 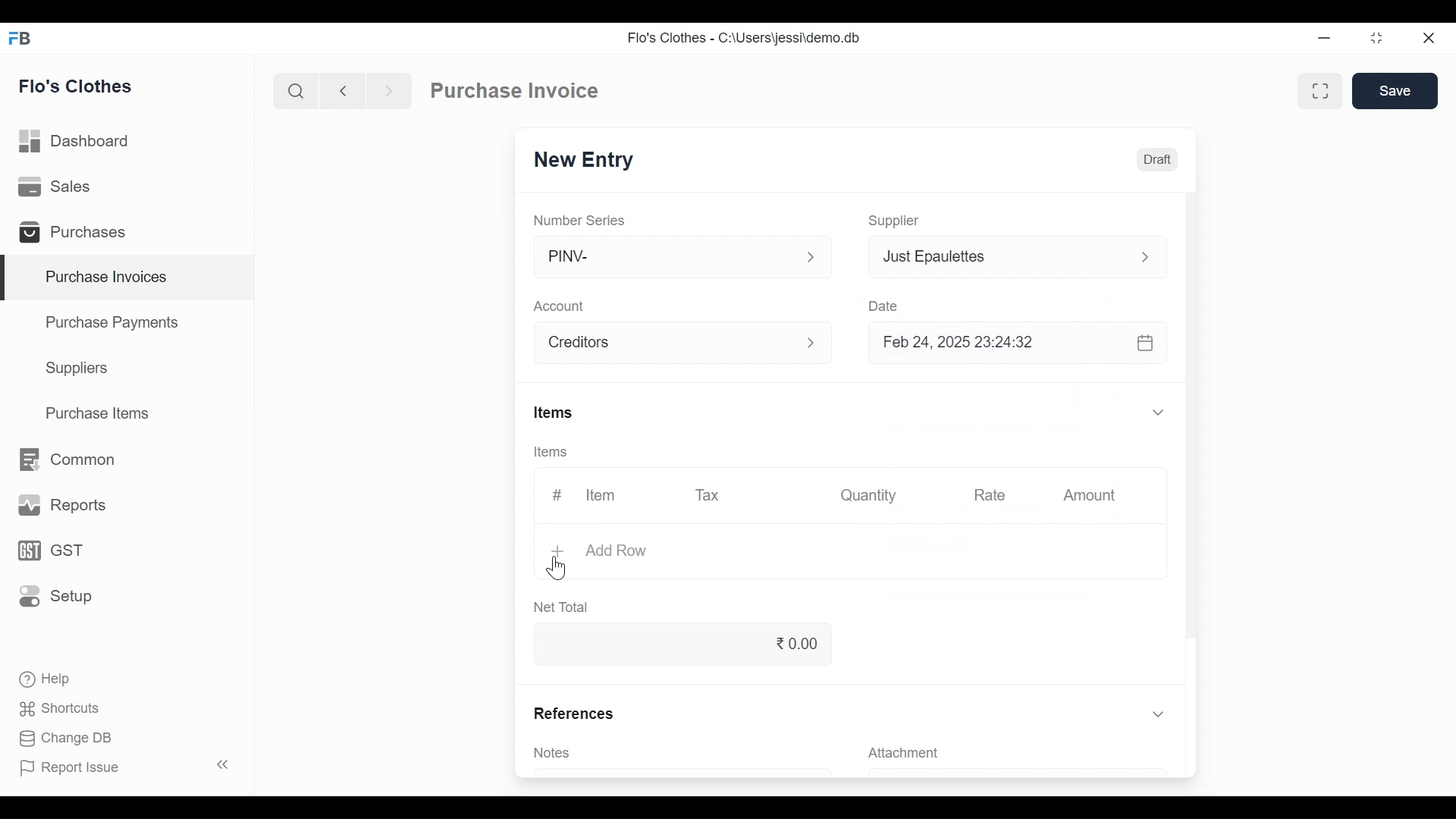 What do you see at coordinates (1020, 344) in the screenshot?
I see `Feb 24, 2025 23:24:32` at bounding box center [1020, 344].